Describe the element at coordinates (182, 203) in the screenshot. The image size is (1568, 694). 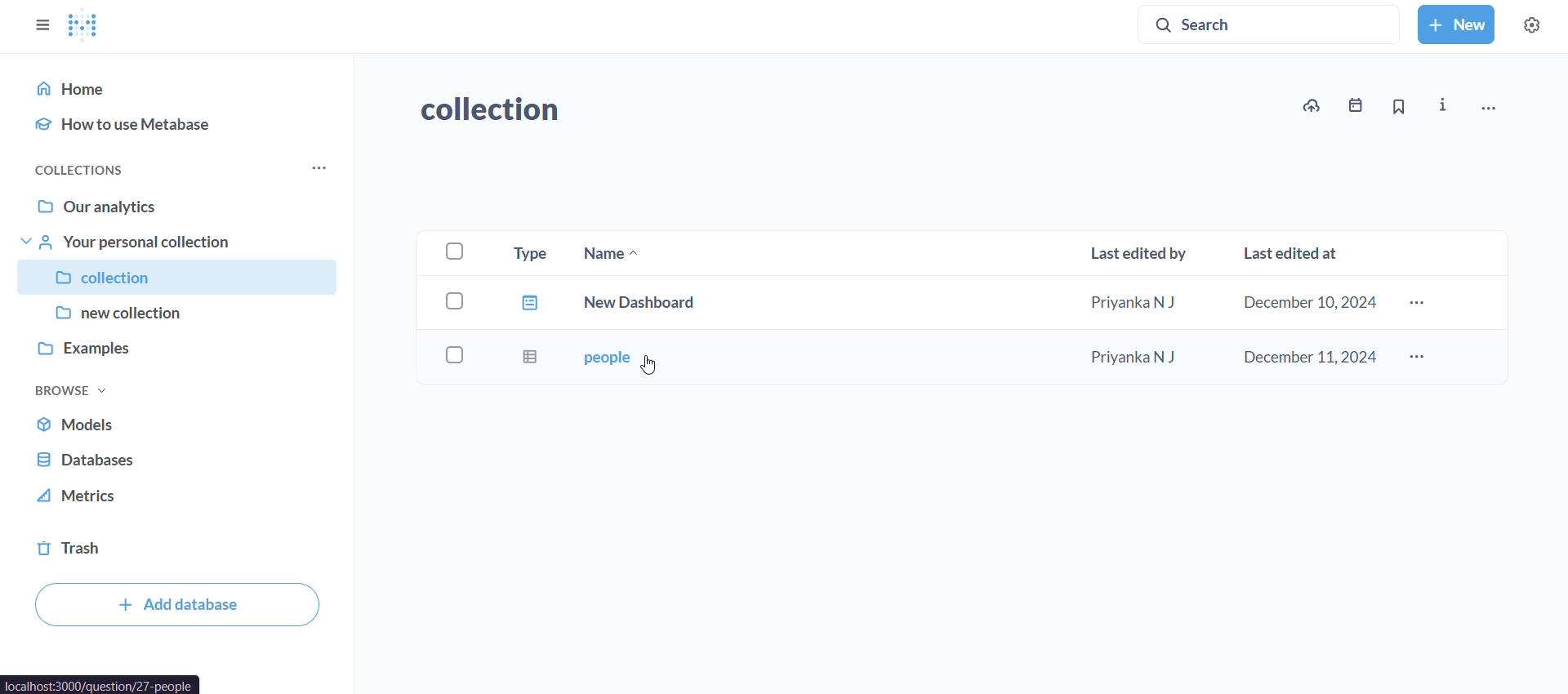
I see `our analytics` at that location.